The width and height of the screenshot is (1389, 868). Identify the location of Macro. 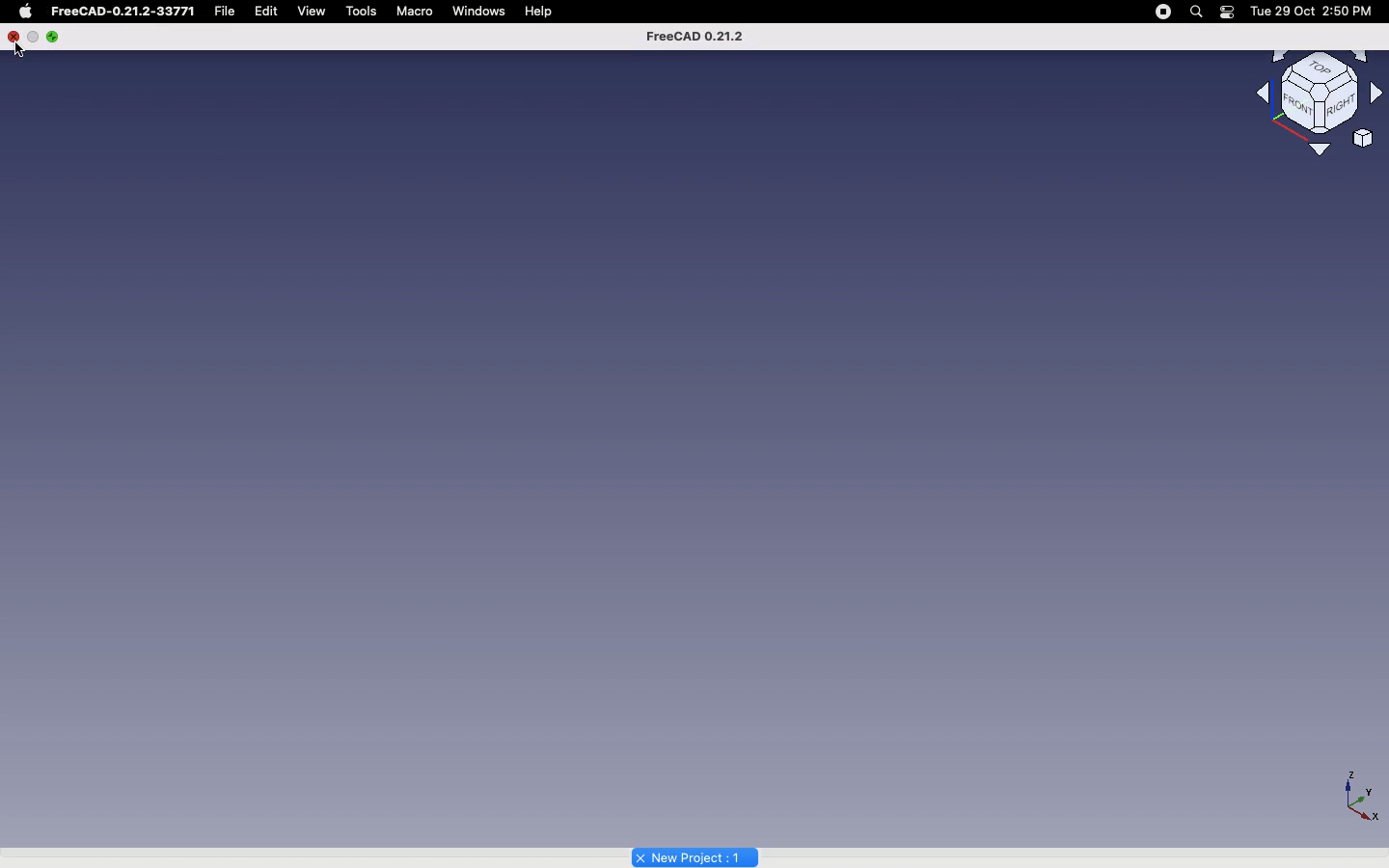
(416, 11).